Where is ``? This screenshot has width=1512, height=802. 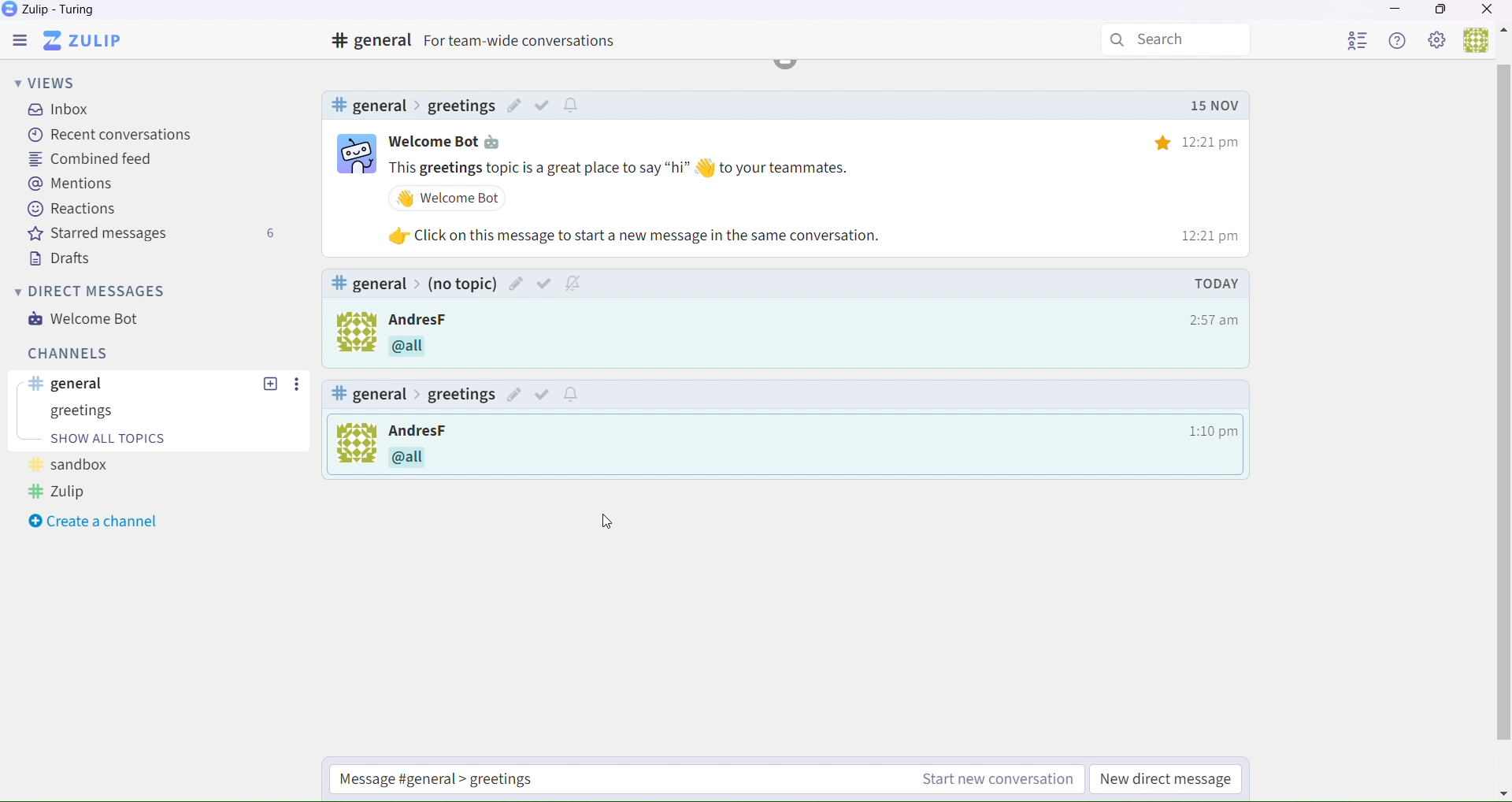
 is located at coordinates (449, 431).